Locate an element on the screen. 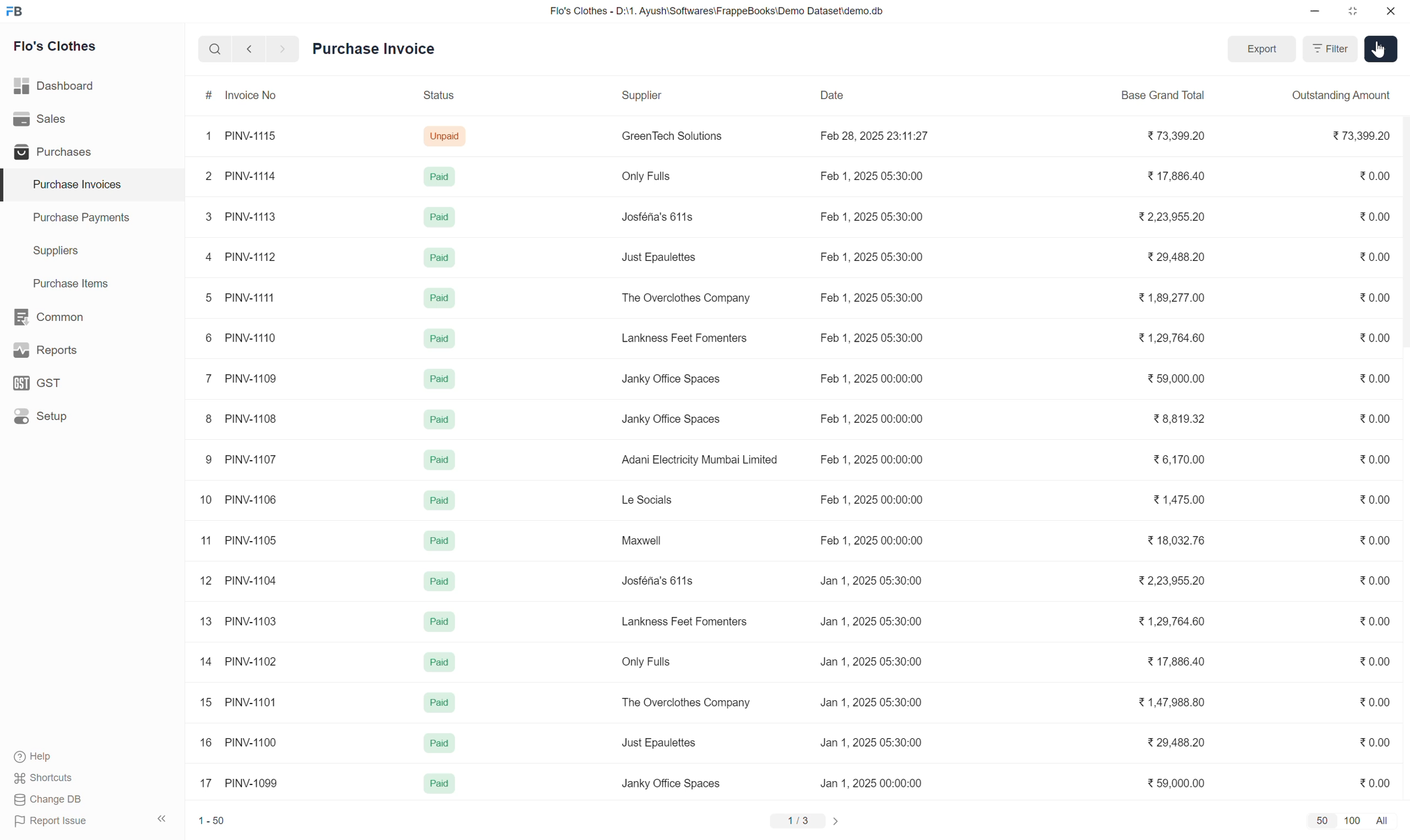 The image size is (1410, 840). Report Issue is located at coordinates (46, 824).